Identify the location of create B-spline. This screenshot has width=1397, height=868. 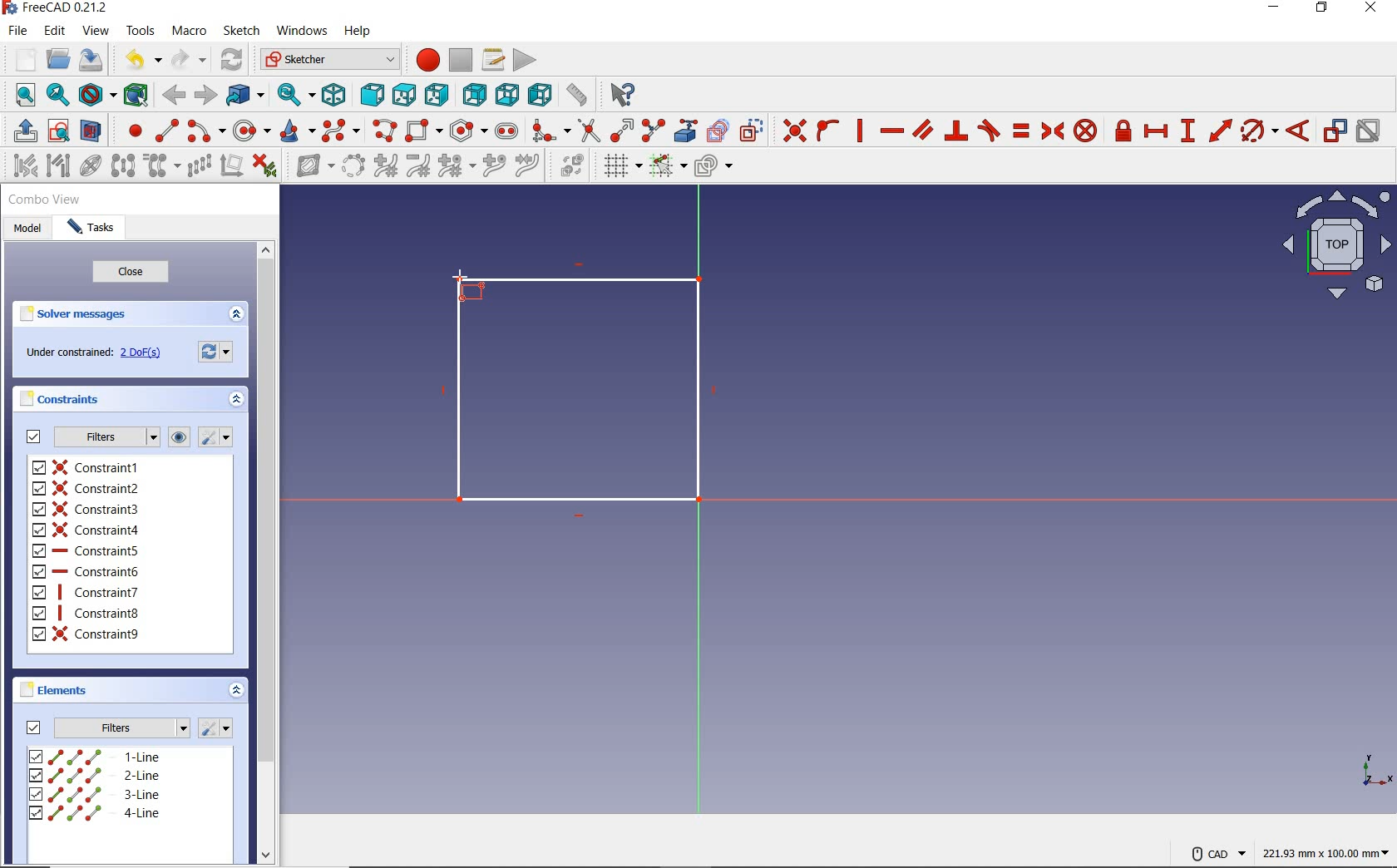
(341, 132).